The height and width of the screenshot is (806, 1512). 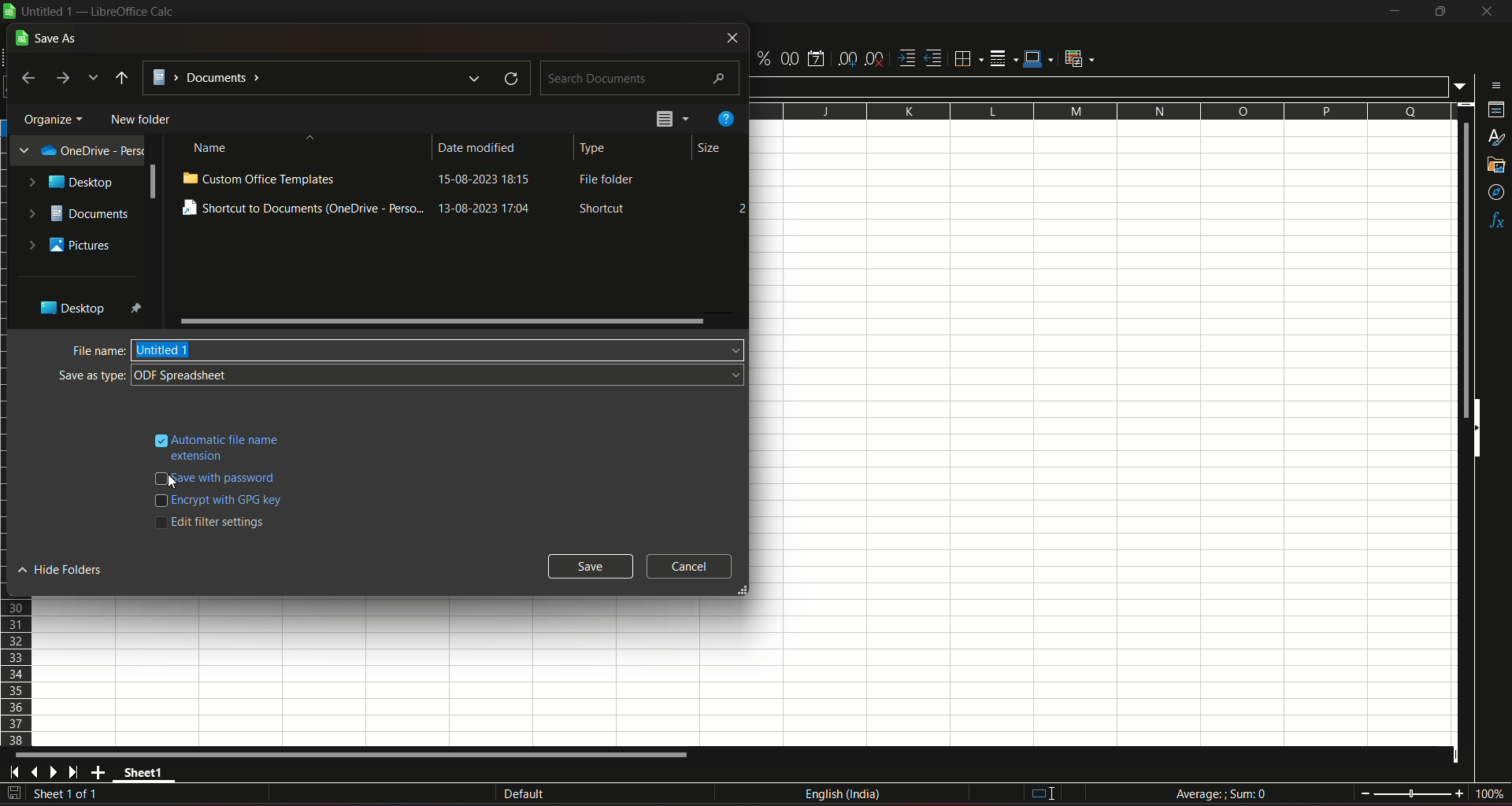 What do you see at coordinates (876, 58) in the screenshot?
I see `delete decimal point` at bounding box center [876, 58].